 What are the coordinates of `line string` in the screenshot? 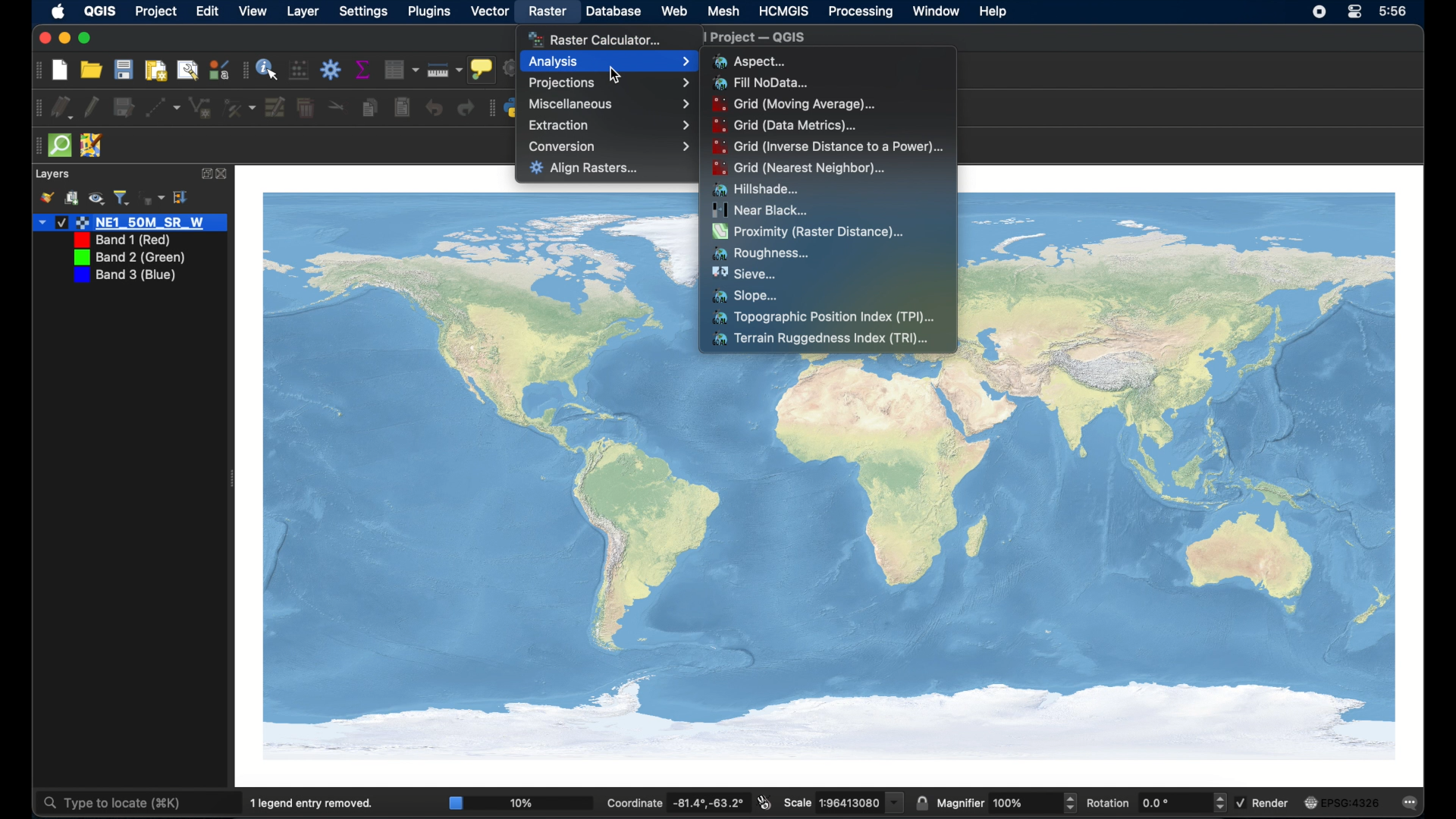 It's located at (200, 108).